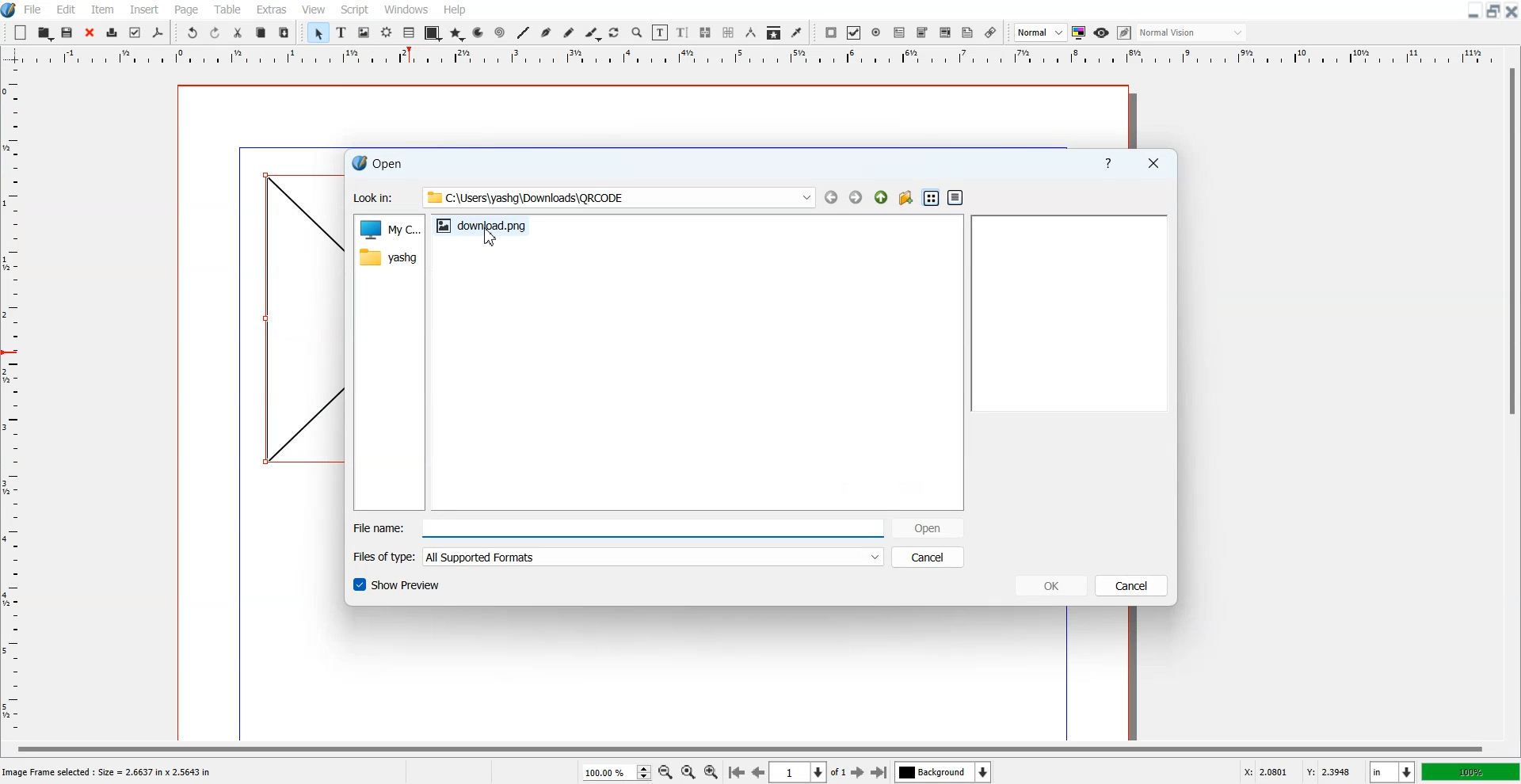 This screenshot has width=1521, height=784. I want to click on Close, so click(1152, 162).